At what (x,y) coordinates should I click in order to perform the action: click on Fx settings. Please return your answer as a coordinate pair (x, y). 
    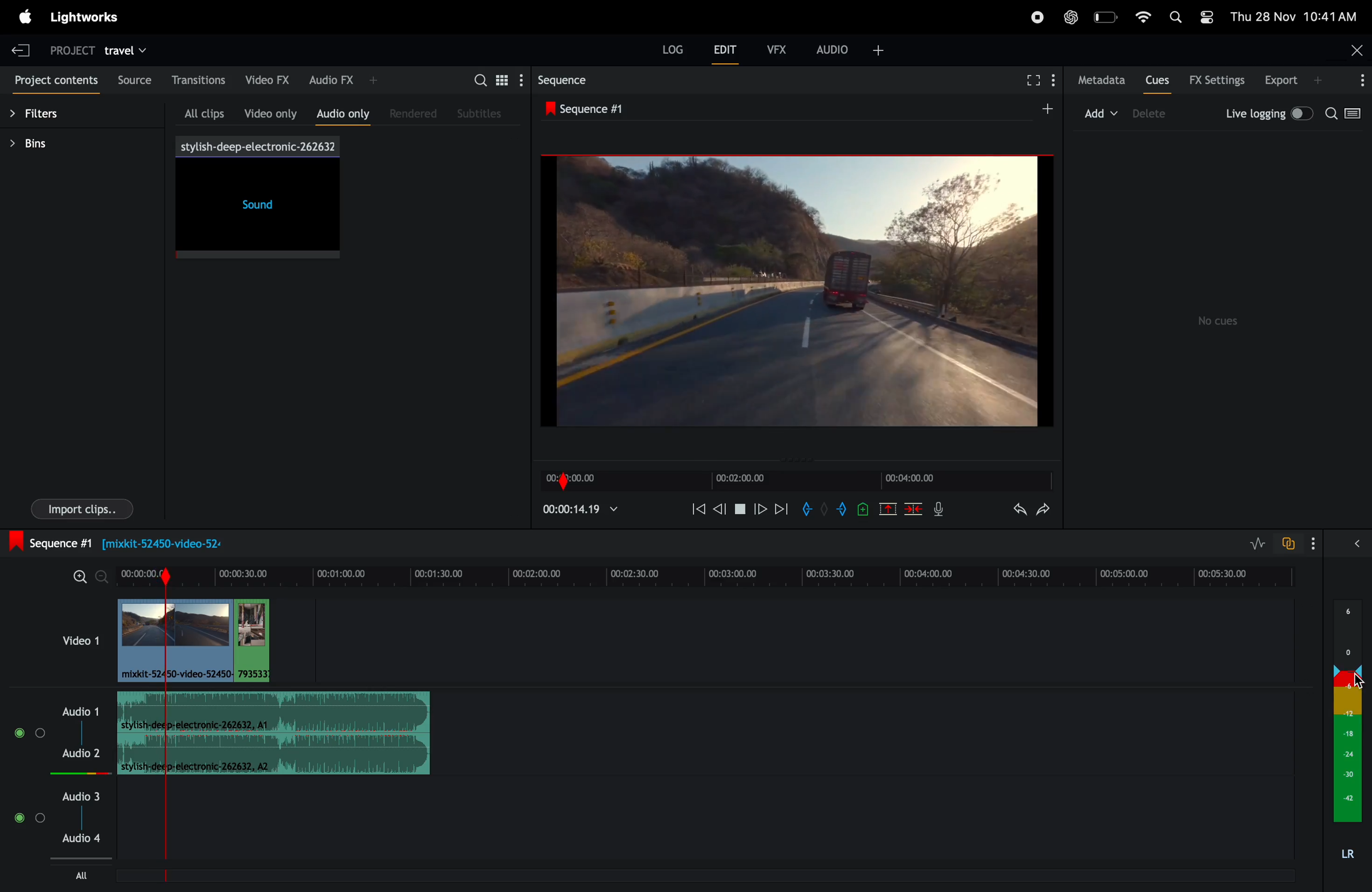
    Looking at the image, I should click on (1218, 79).